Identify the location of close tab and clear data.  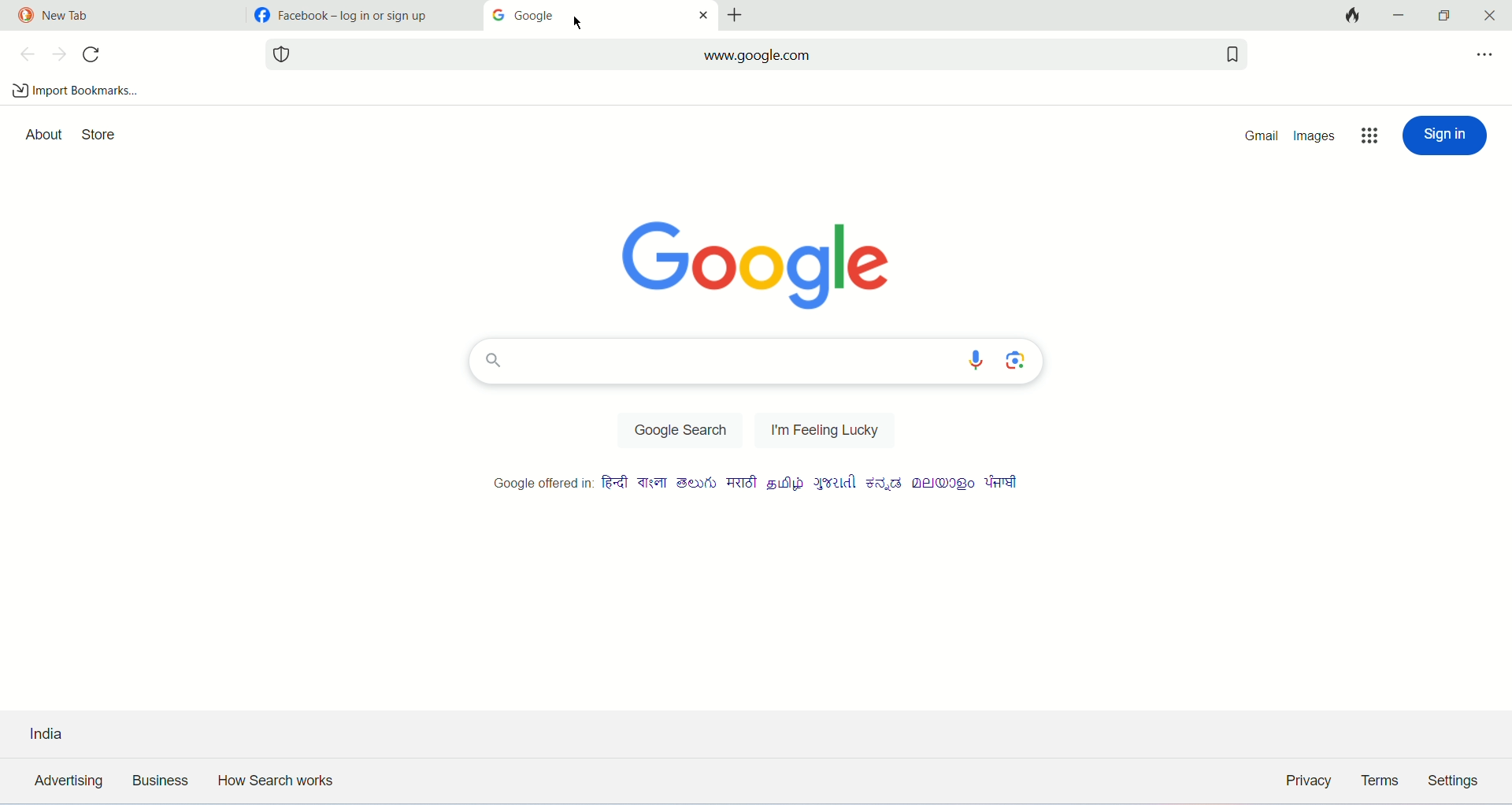
(1354, 15).